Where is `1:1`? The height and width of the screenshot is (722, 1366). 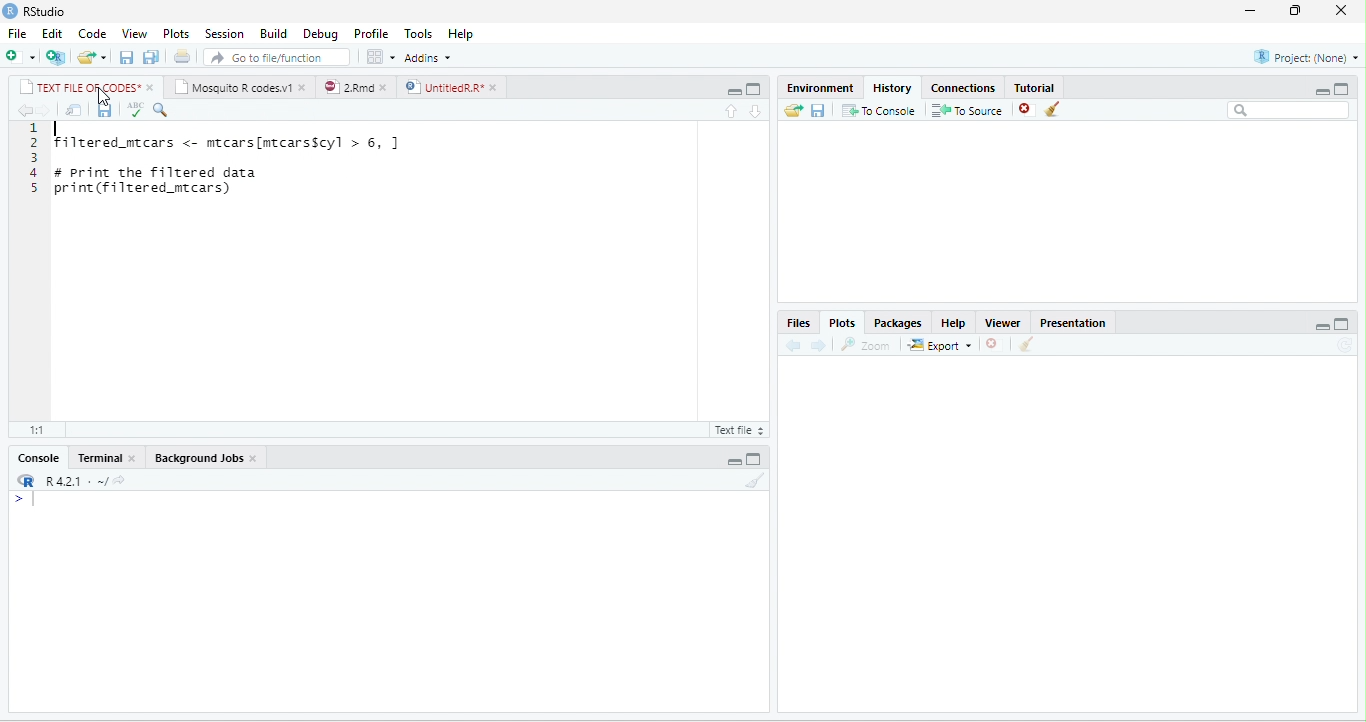 1:1 is located at coordinates (37, 430).